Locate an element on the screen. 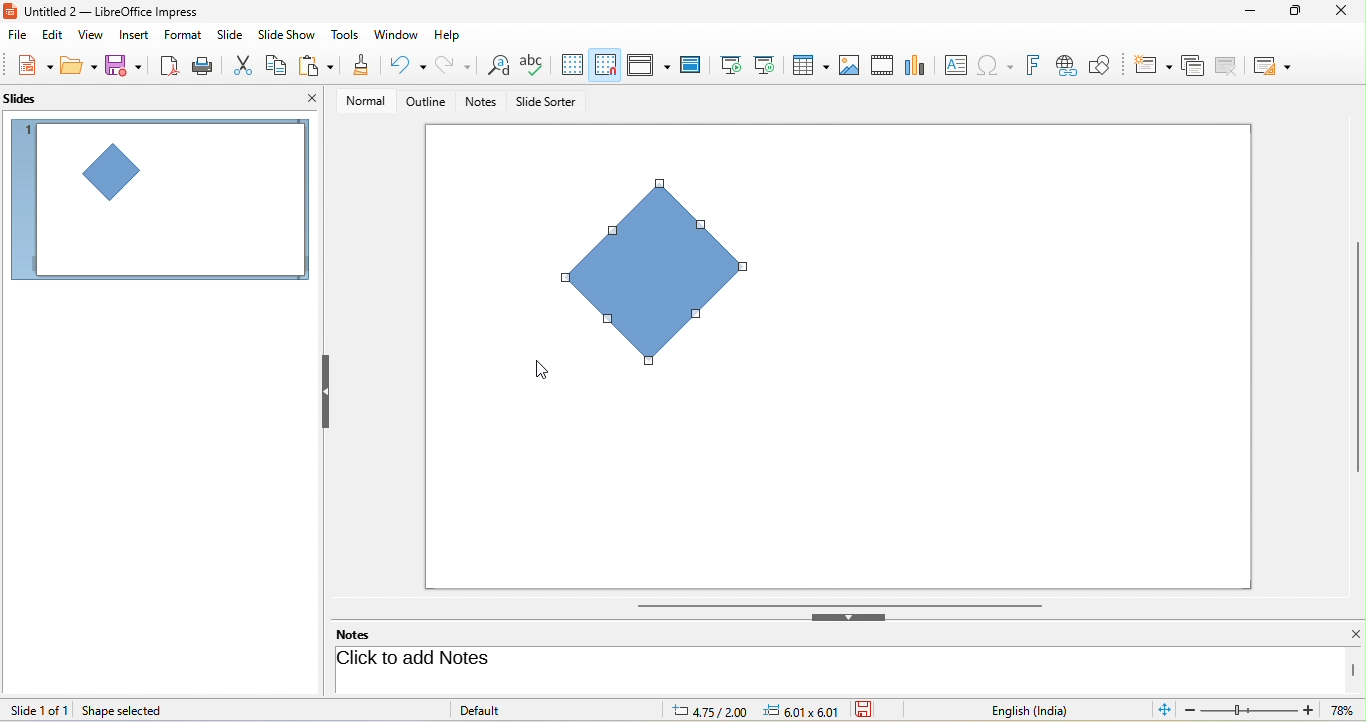  display view is located at coordinates (648, 64).